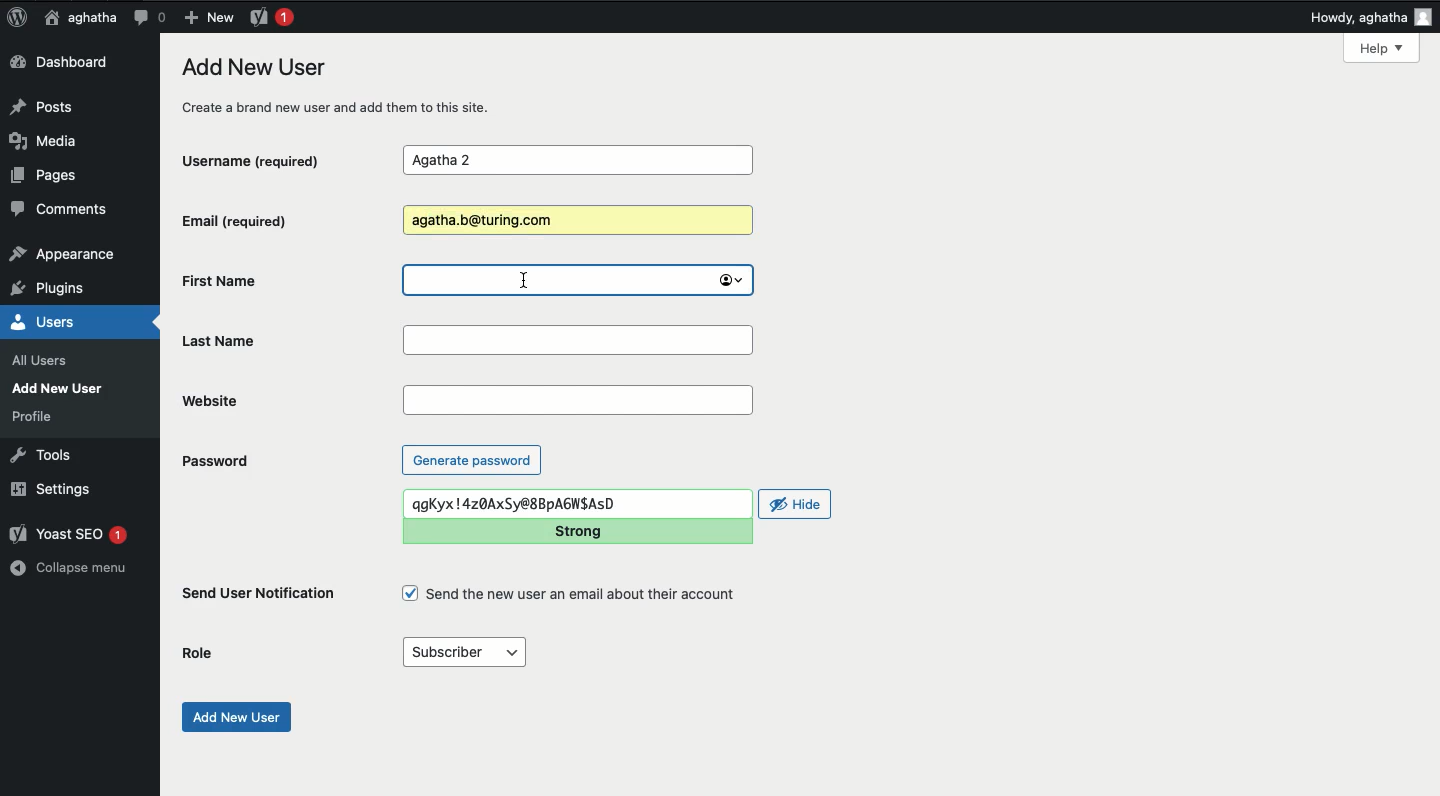  I want to click on Generate password, so click(472, 459).